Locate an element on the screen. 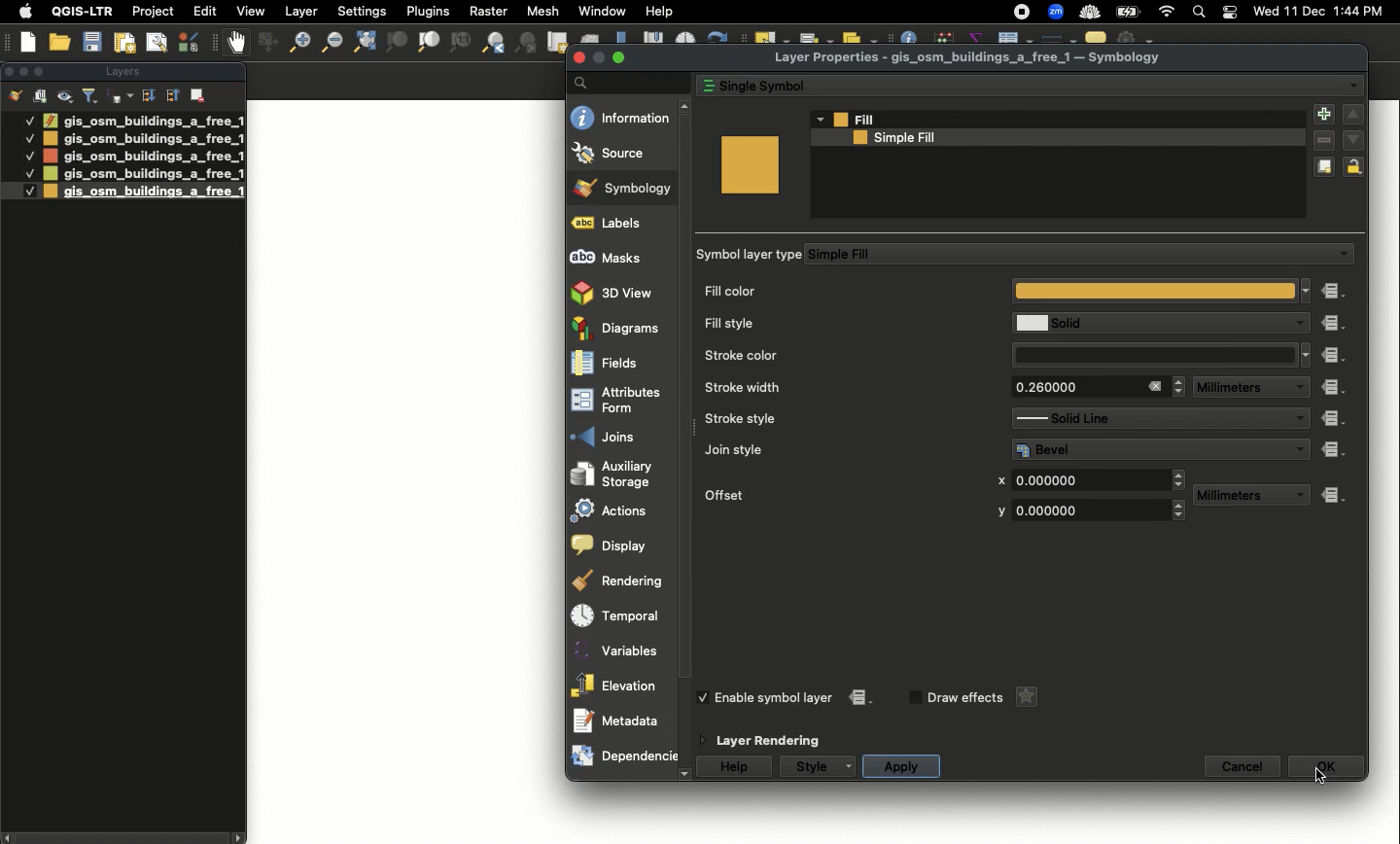  Ok is located at coordinates (1320, 774).